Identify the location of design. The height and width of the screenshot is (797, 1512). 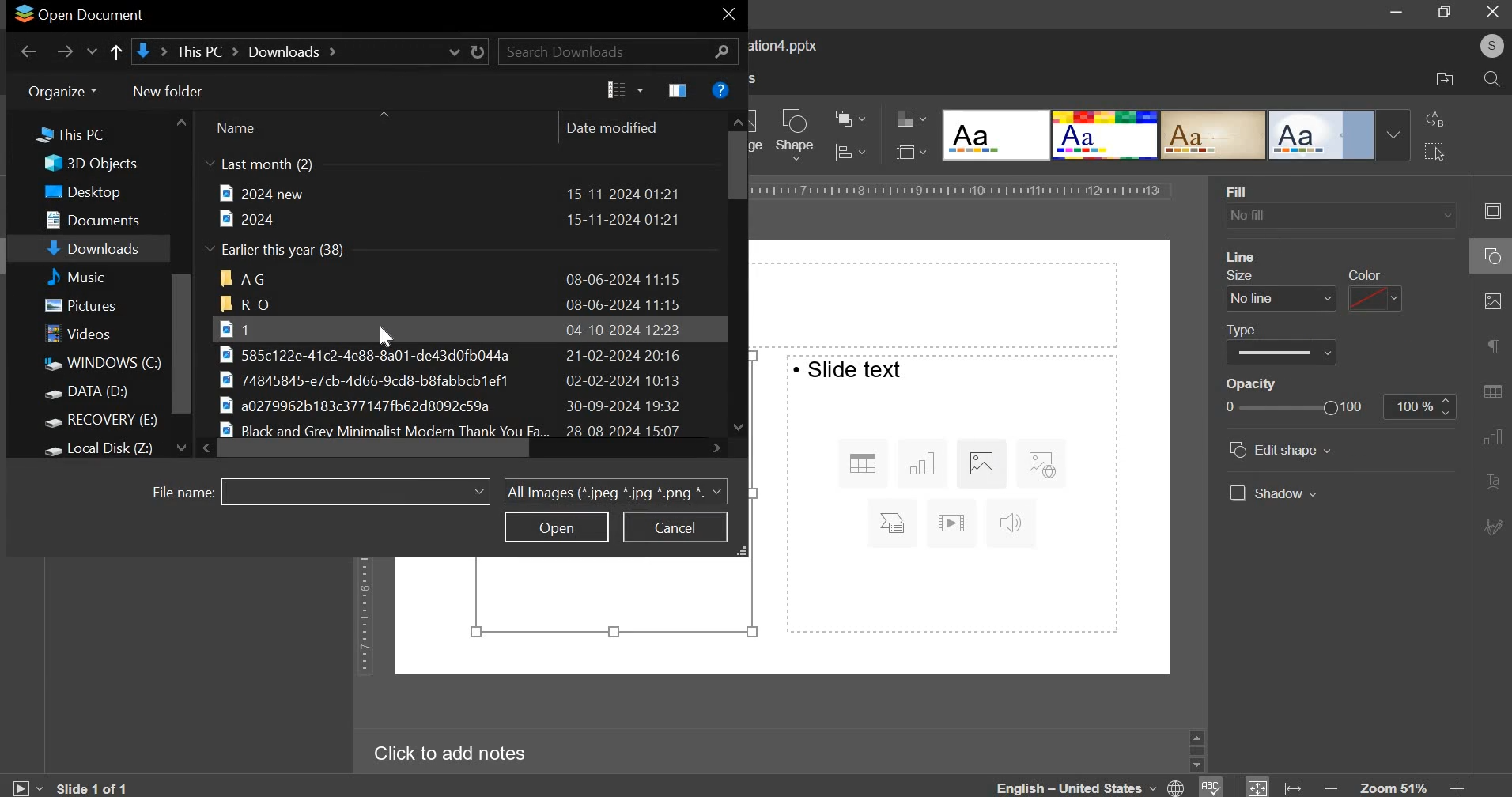
(1106, 136).